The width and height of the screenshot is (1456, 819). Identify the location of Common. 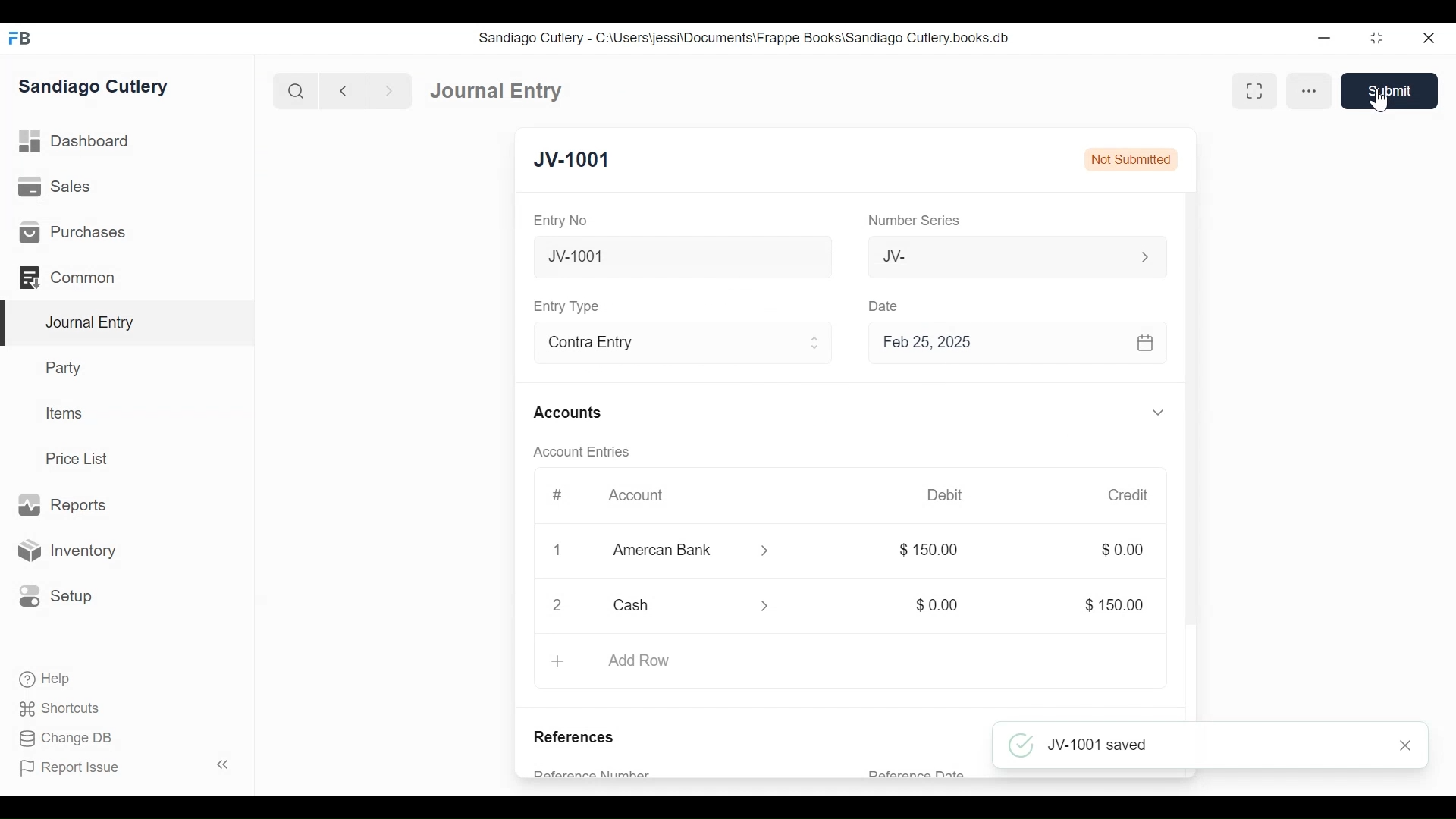
(75, 278).